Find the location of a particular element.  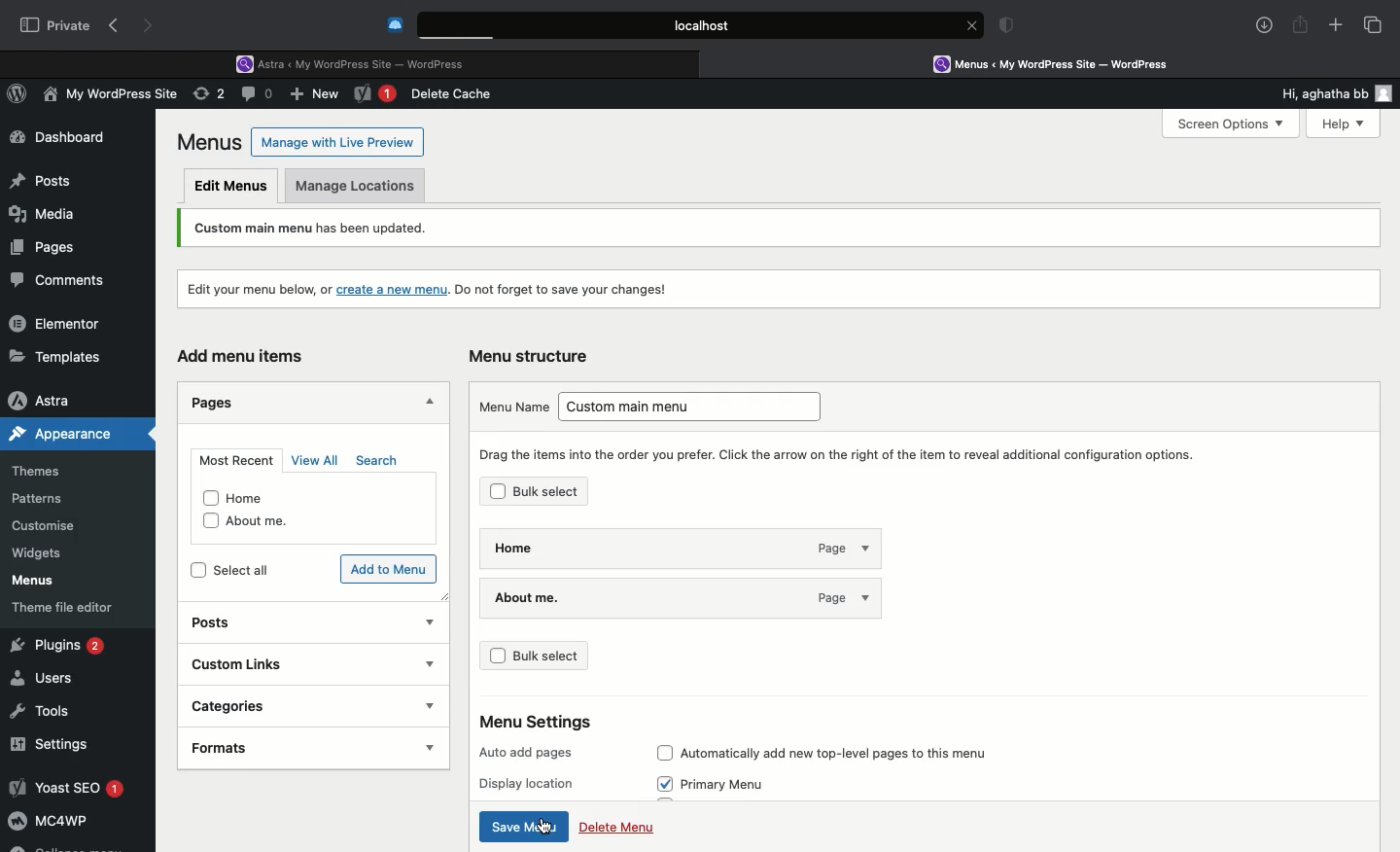

checkbox is located at coordinates (210, 521).